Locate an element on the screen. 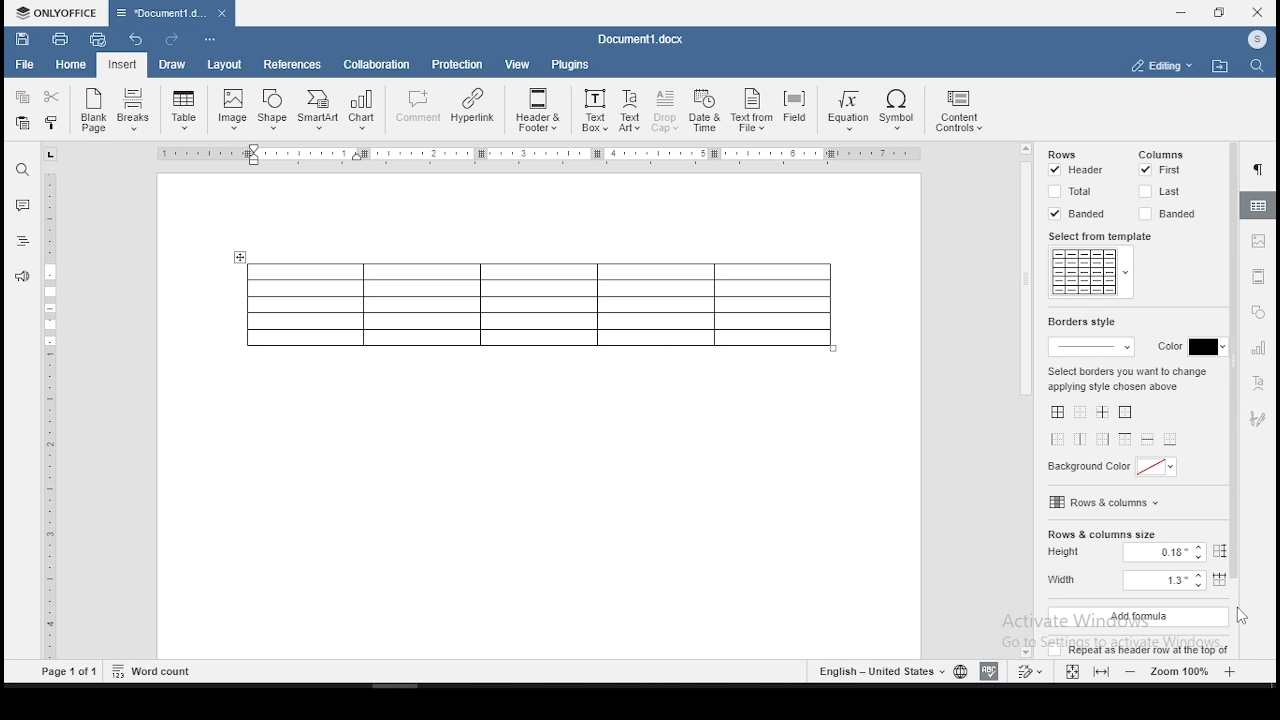  repeat as header row at the top of the table is located at coordinates (1147, 648).